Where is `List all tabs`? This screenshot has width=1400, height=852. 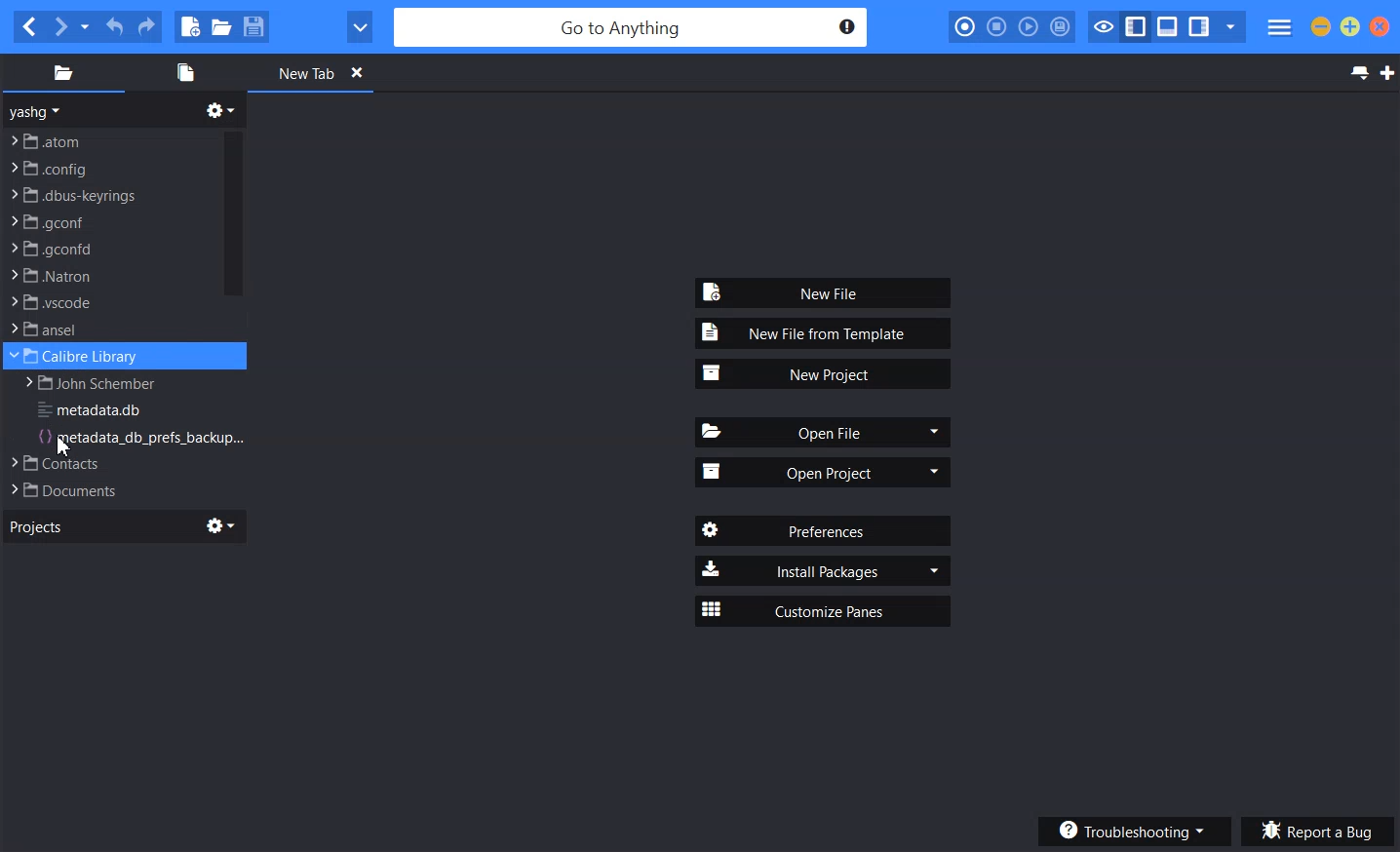 List all tabs is located at coordinates (1357, 73).